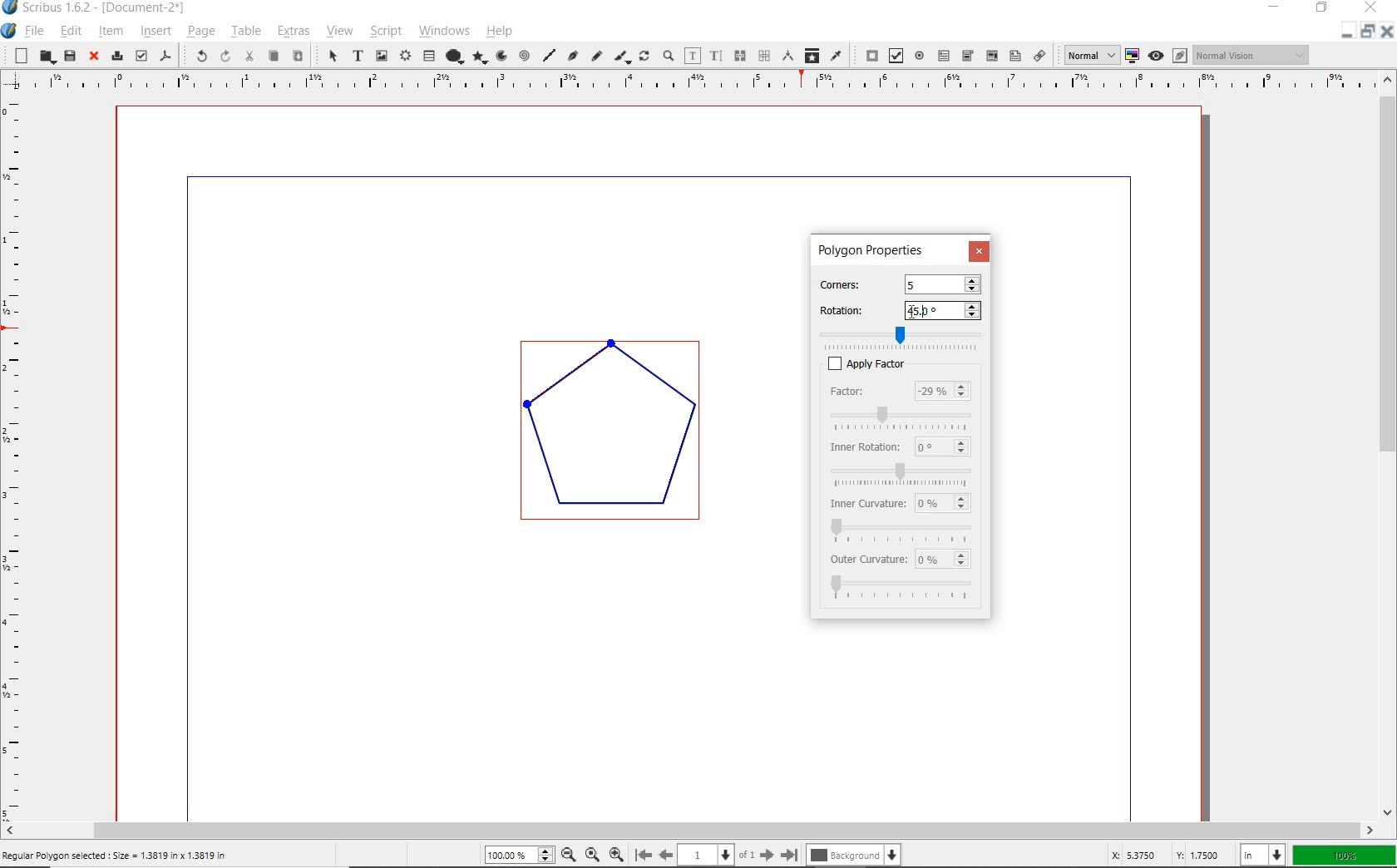  What do you see at coordinates (942, 446) in the screenshot?
I see `inner rotation input` at bounding box center [942, 446].